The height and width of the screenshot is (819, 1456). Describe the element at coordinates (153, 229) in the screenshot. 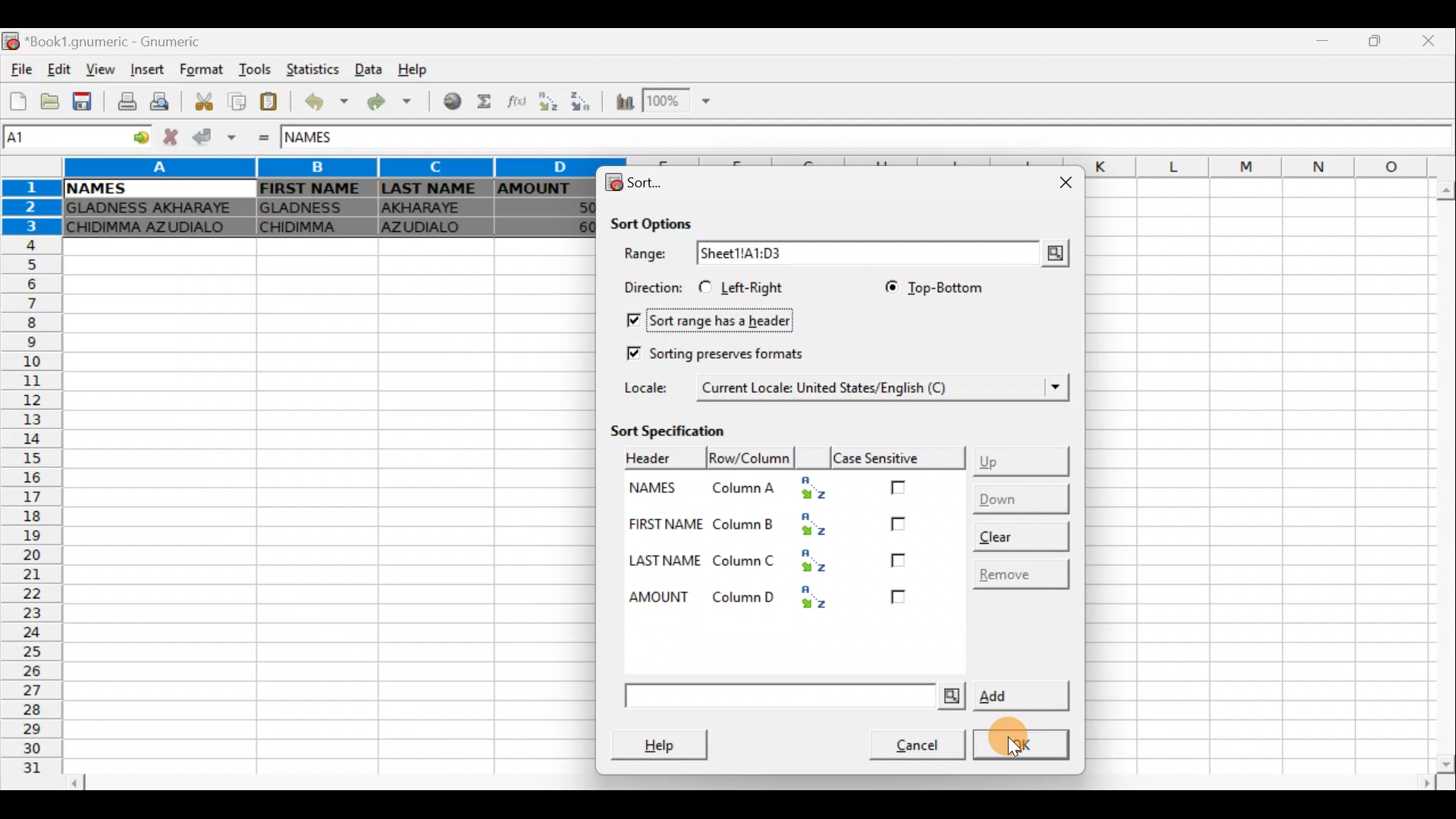

I see `CHIDIMMA AZUDIALO` at that location.